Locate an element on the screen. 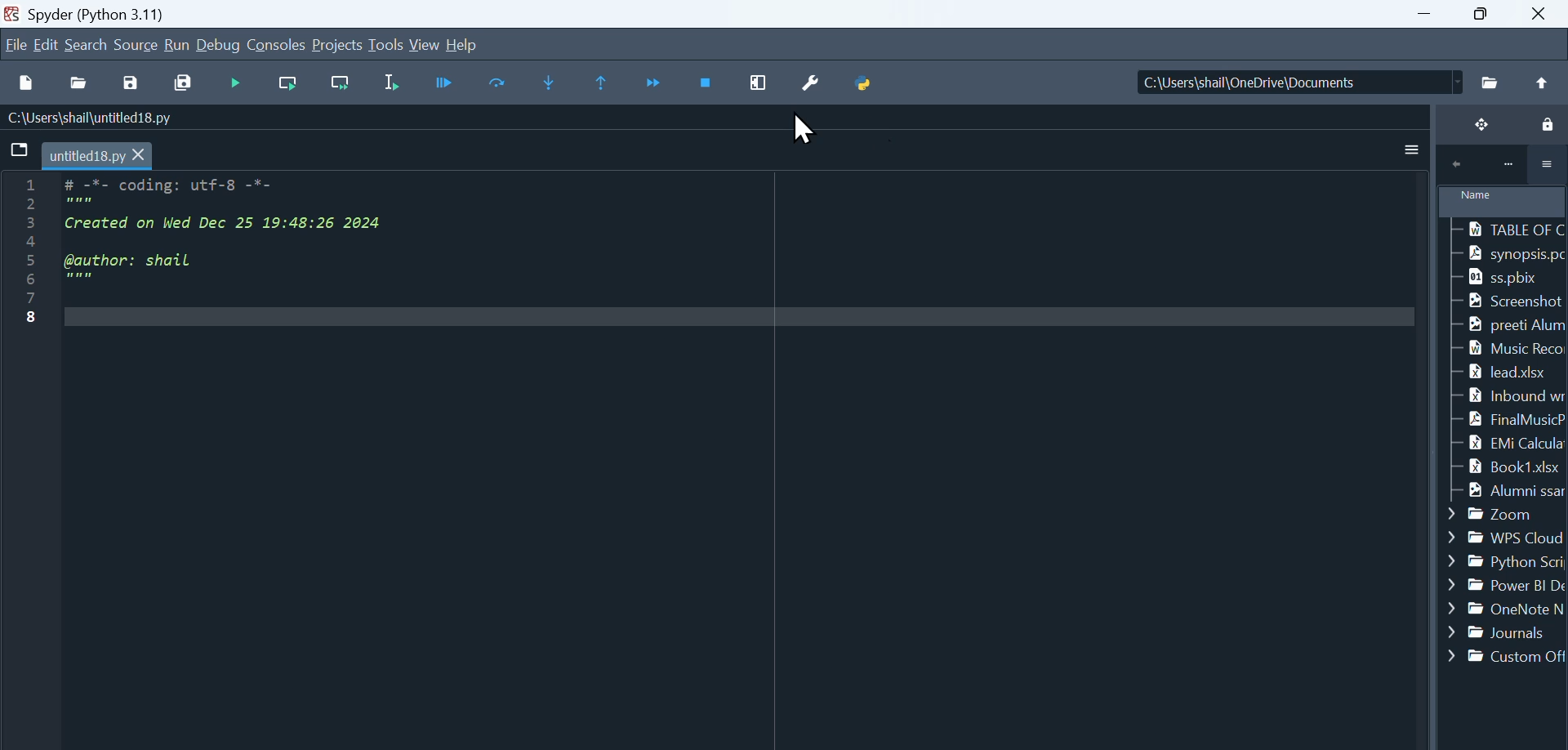 Image resolution: width=1568 pixels, height=750 pixels. Help is located at coordinates (461, 42).